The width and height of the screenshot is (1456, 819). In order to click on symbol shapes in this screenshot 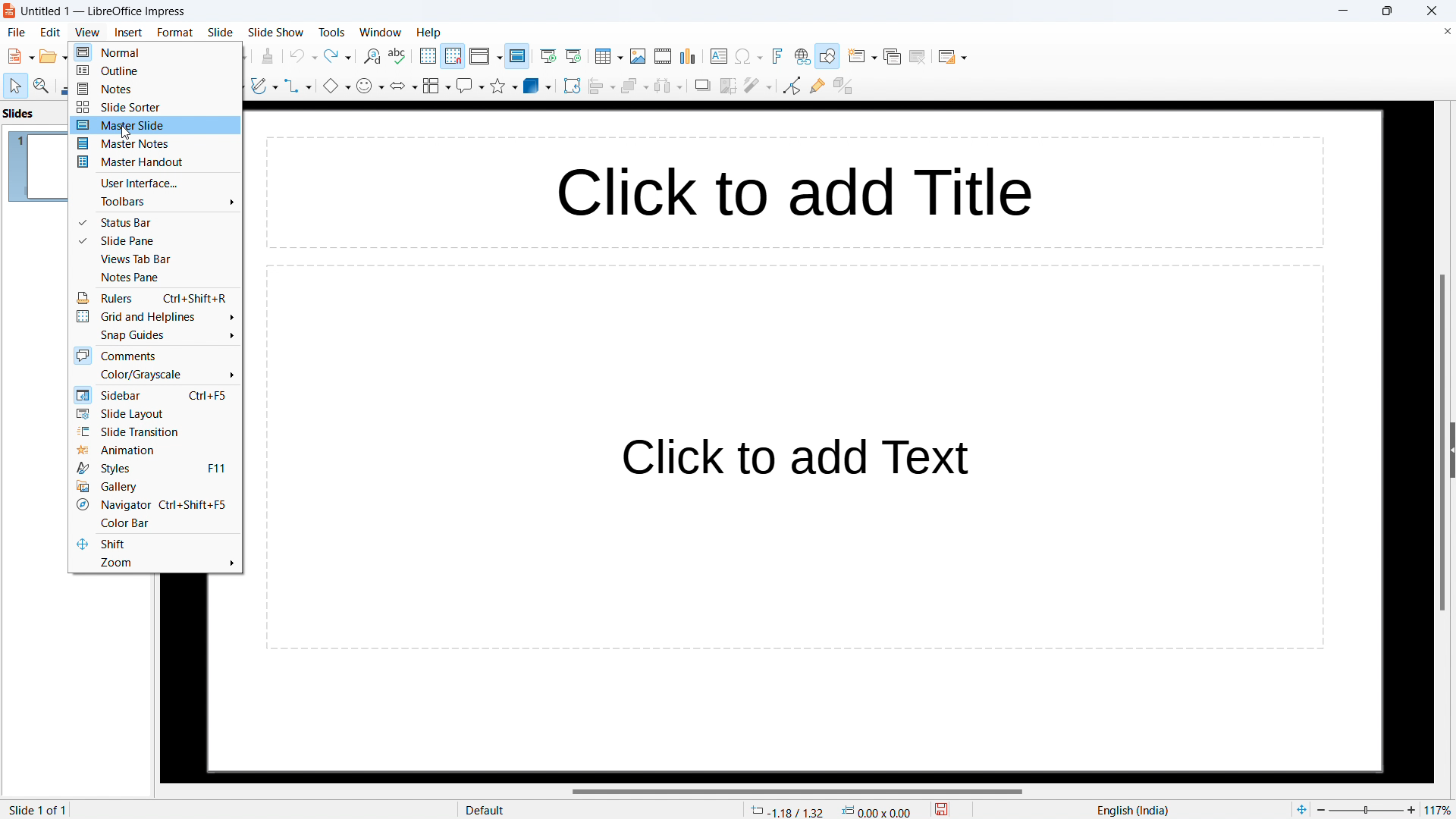, I will do `click(370, 86)`.